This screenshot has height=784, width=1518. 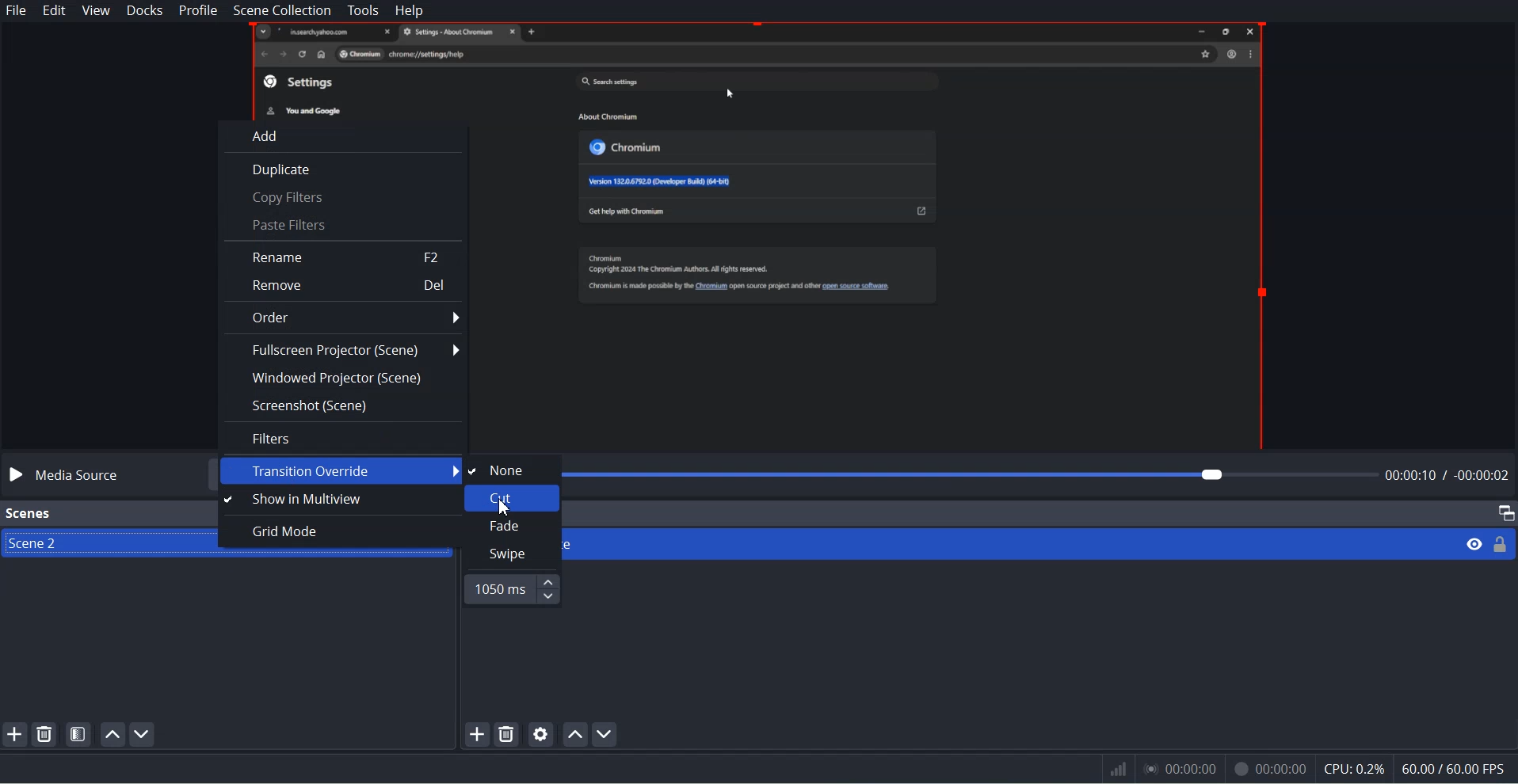 What do you see at coordinates (605, 734) in the screenshot?
I see `Move source down` at bounding box center [605, 734].